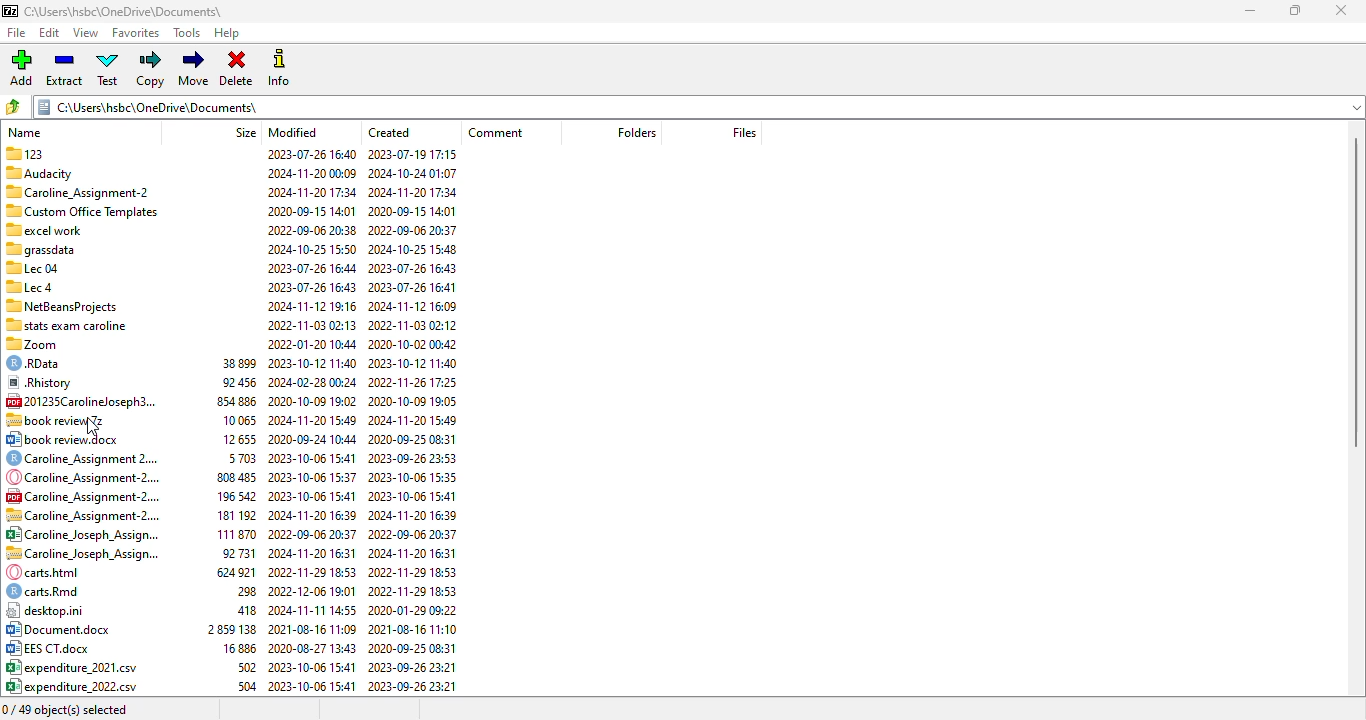 Image resolution: width=1366 pixels, height=720 pixels. Describe the element at coordinates (744, 133) in the screenshot. I see `files` at that location.